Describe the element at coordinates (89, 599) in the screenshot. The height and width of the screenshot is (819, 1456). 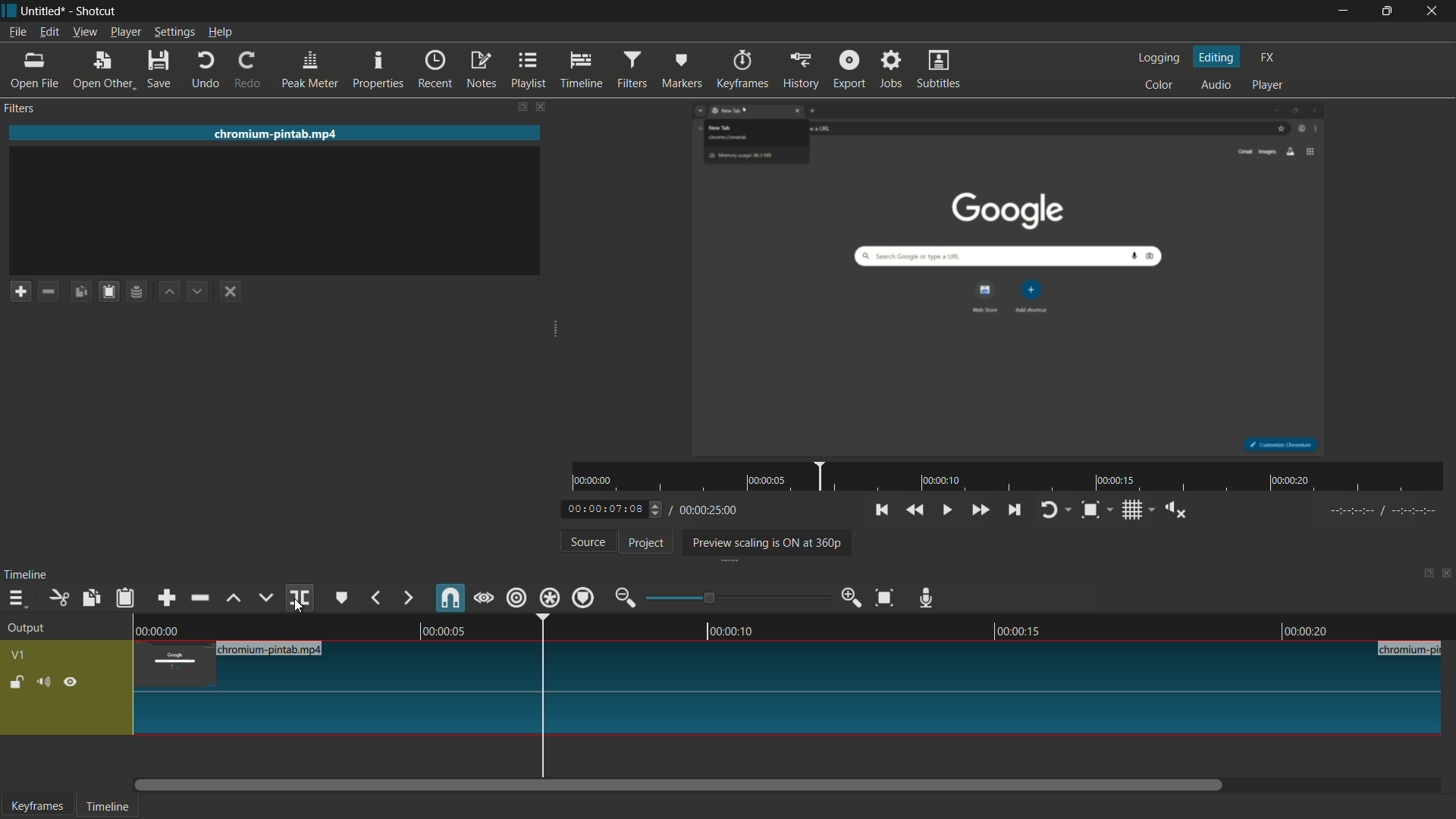
I see `copy checked filters` at that location.